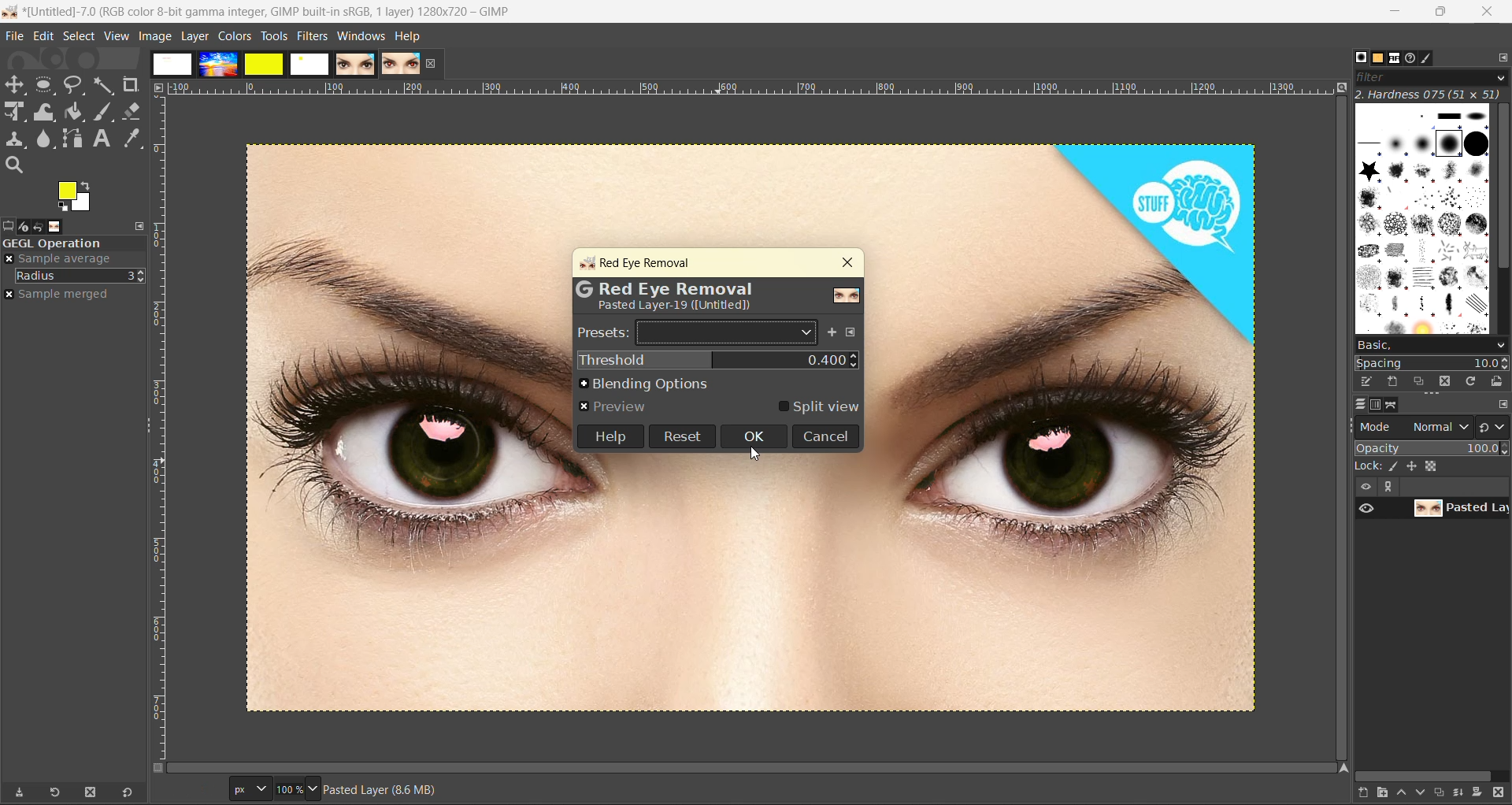  What do you see at coordinates (722, 359) in the screenshot?
I see `threshold` at bounding box center [722, 359].